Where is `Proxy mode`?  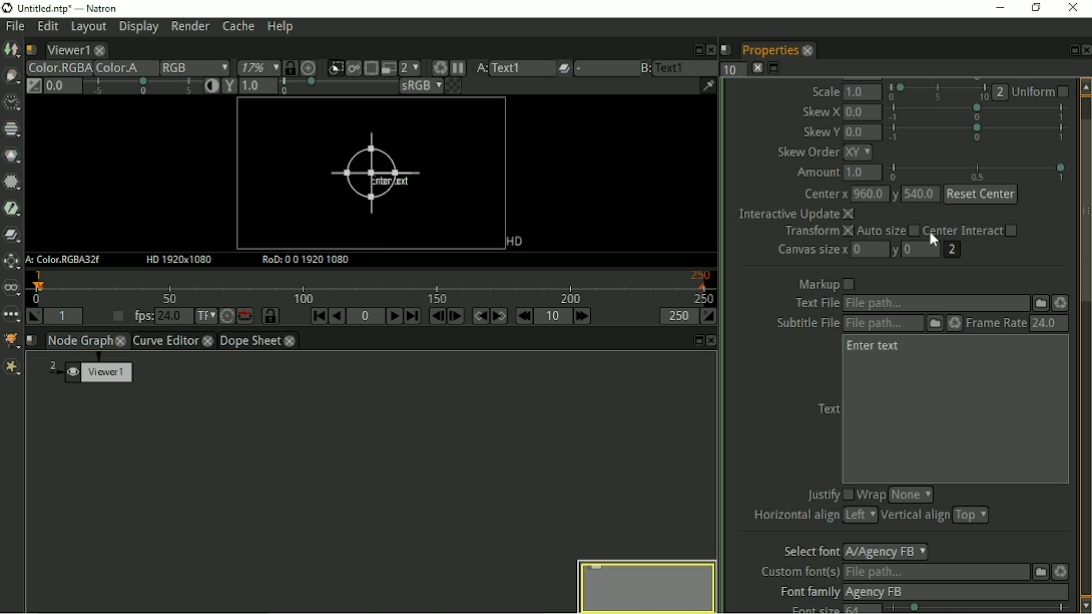 Proxy mode is located at coordinates (410, 68).